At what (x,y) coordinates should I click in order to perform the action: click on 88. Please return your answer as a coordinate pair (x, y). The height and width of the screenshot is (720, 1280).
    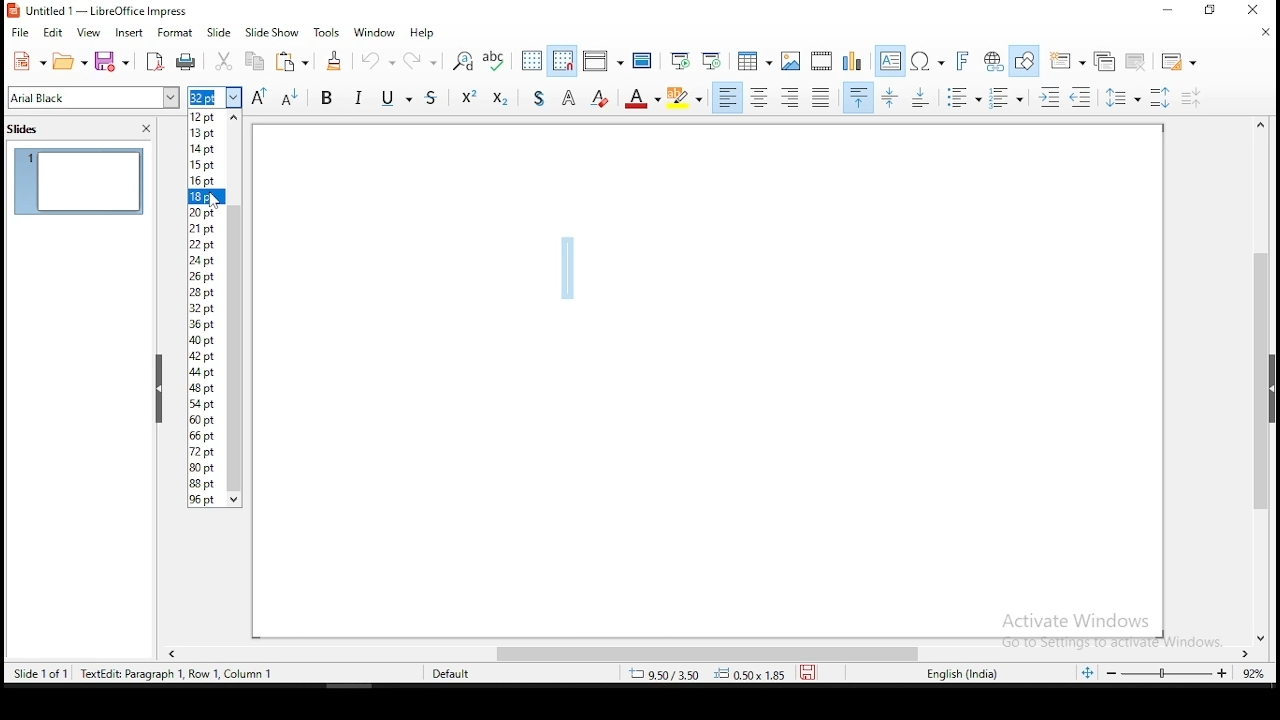
    Looking at the image, I should click on (207, 483).